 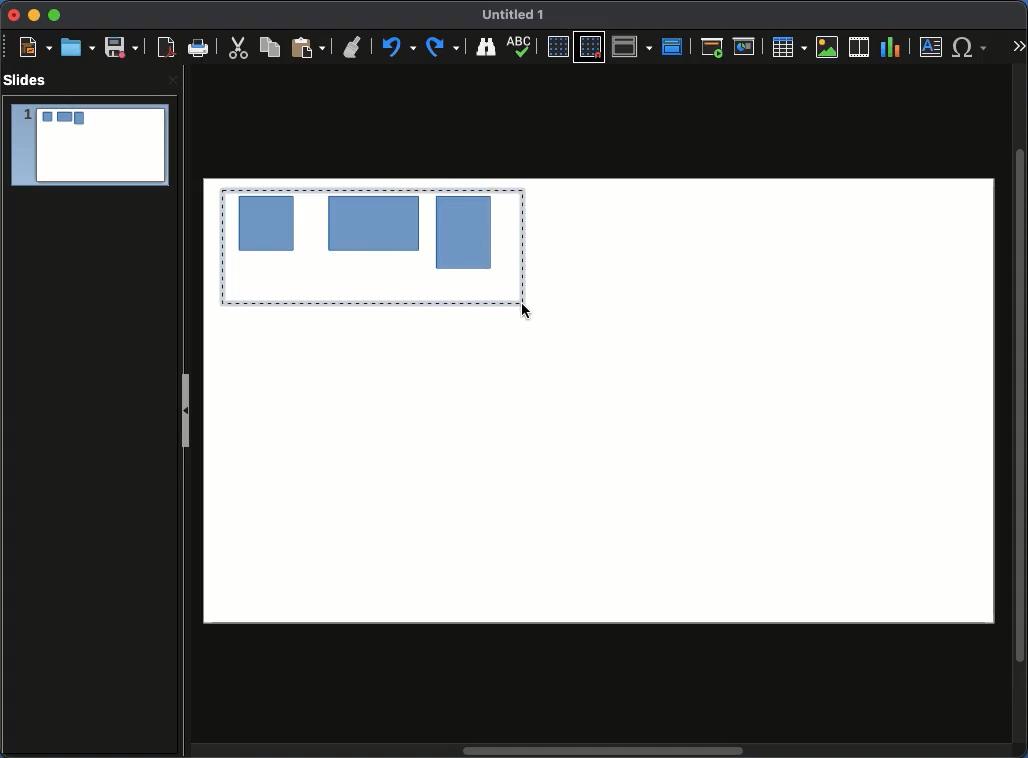 What do you see at coordinates (187, 405) in the screenshot?
I see `Slide panel` at bounding box center [187, 405].